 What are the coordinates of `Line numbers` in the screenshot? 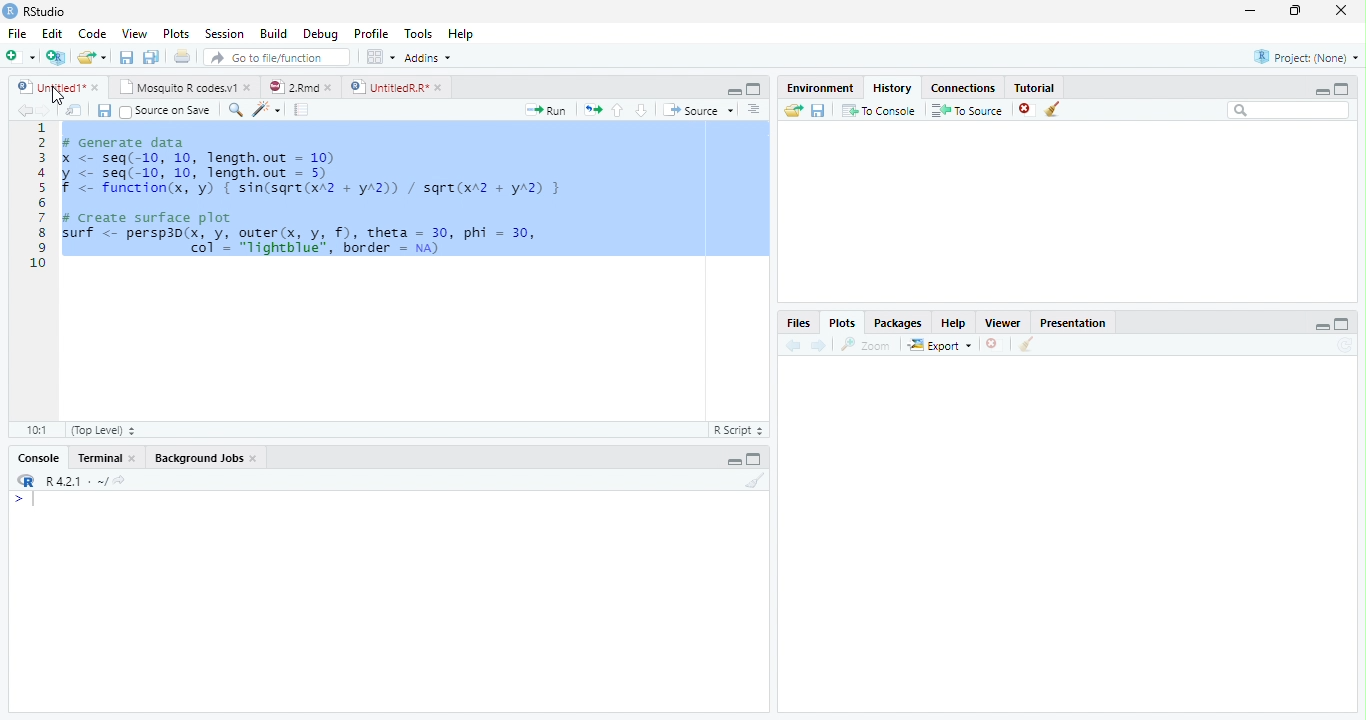 It's located at (38, 196).